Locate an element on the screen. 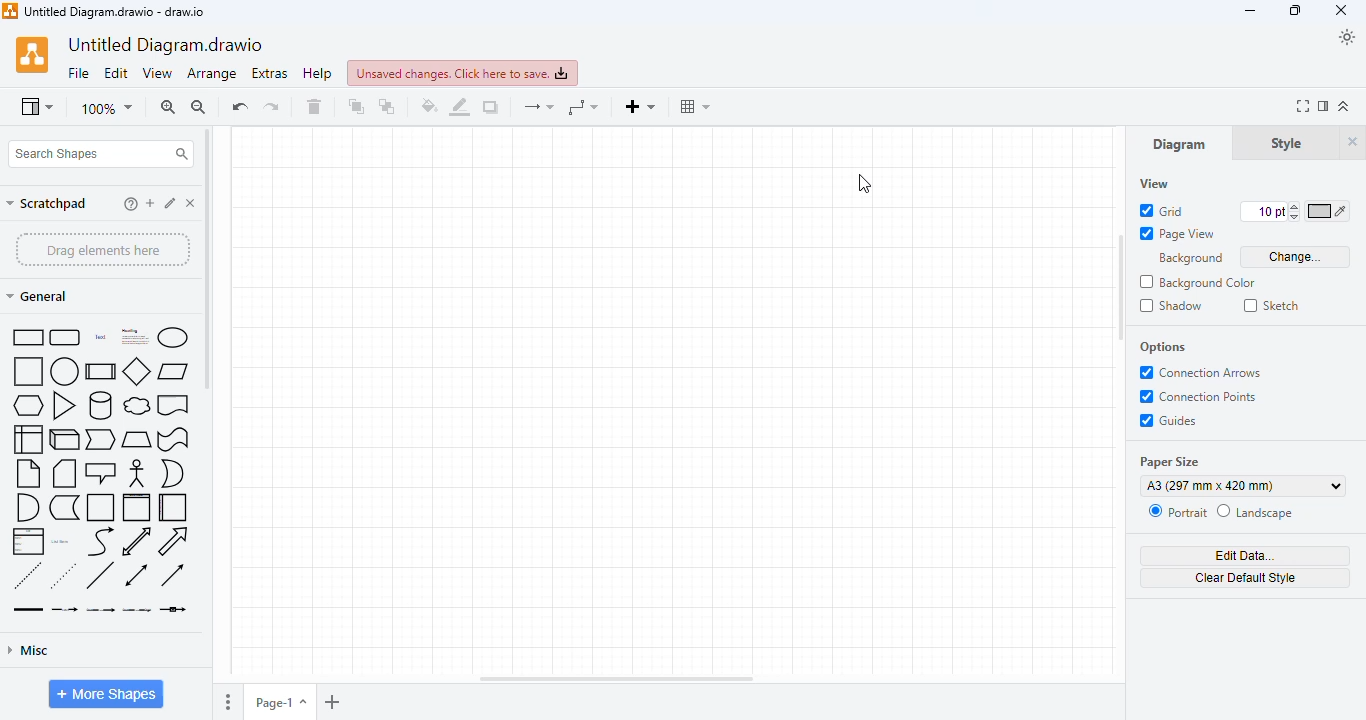 This screenshot has width=1366, height=720. view is located at coordinates (36, 108).